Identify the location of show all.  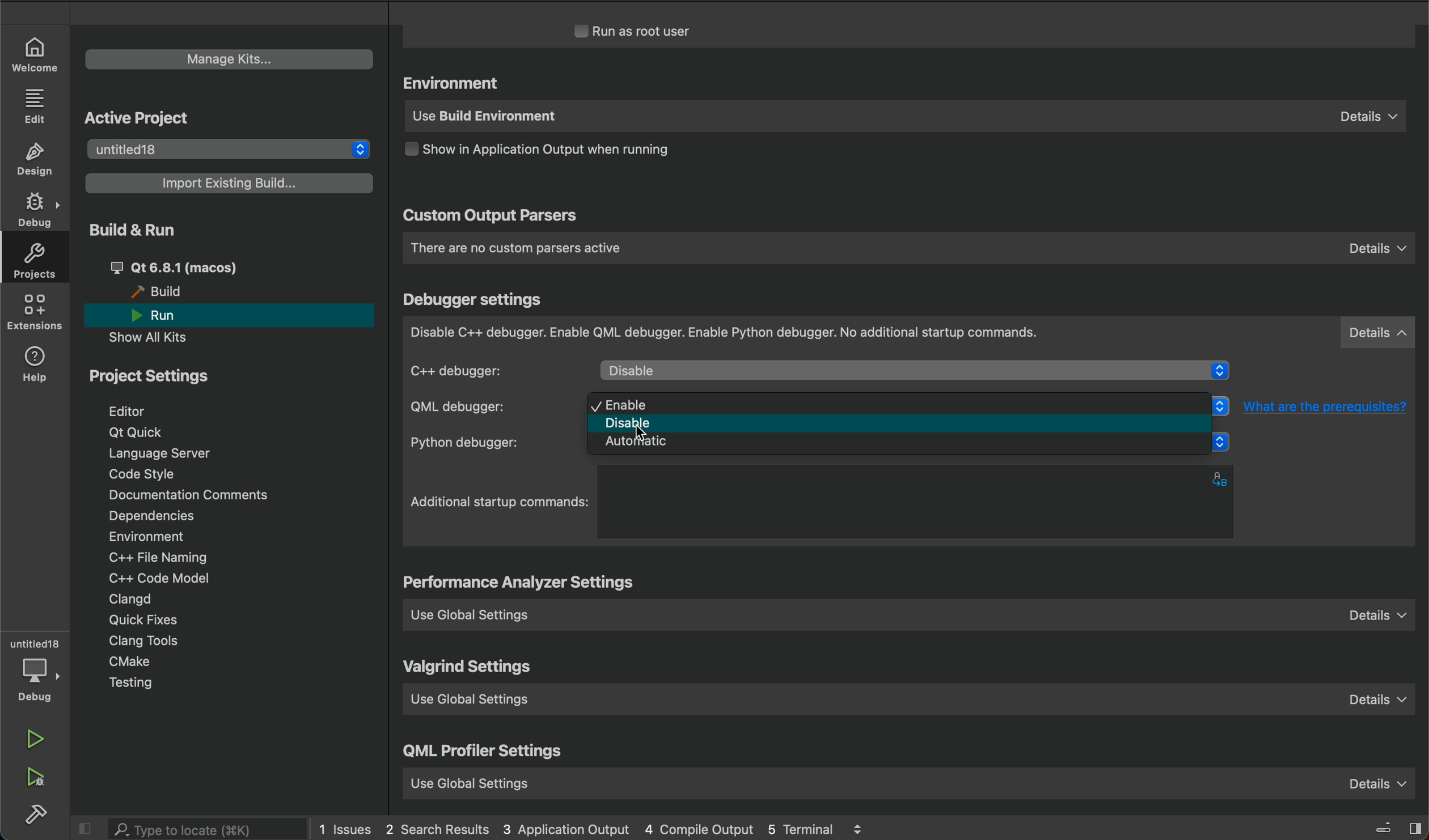
(157, 337).